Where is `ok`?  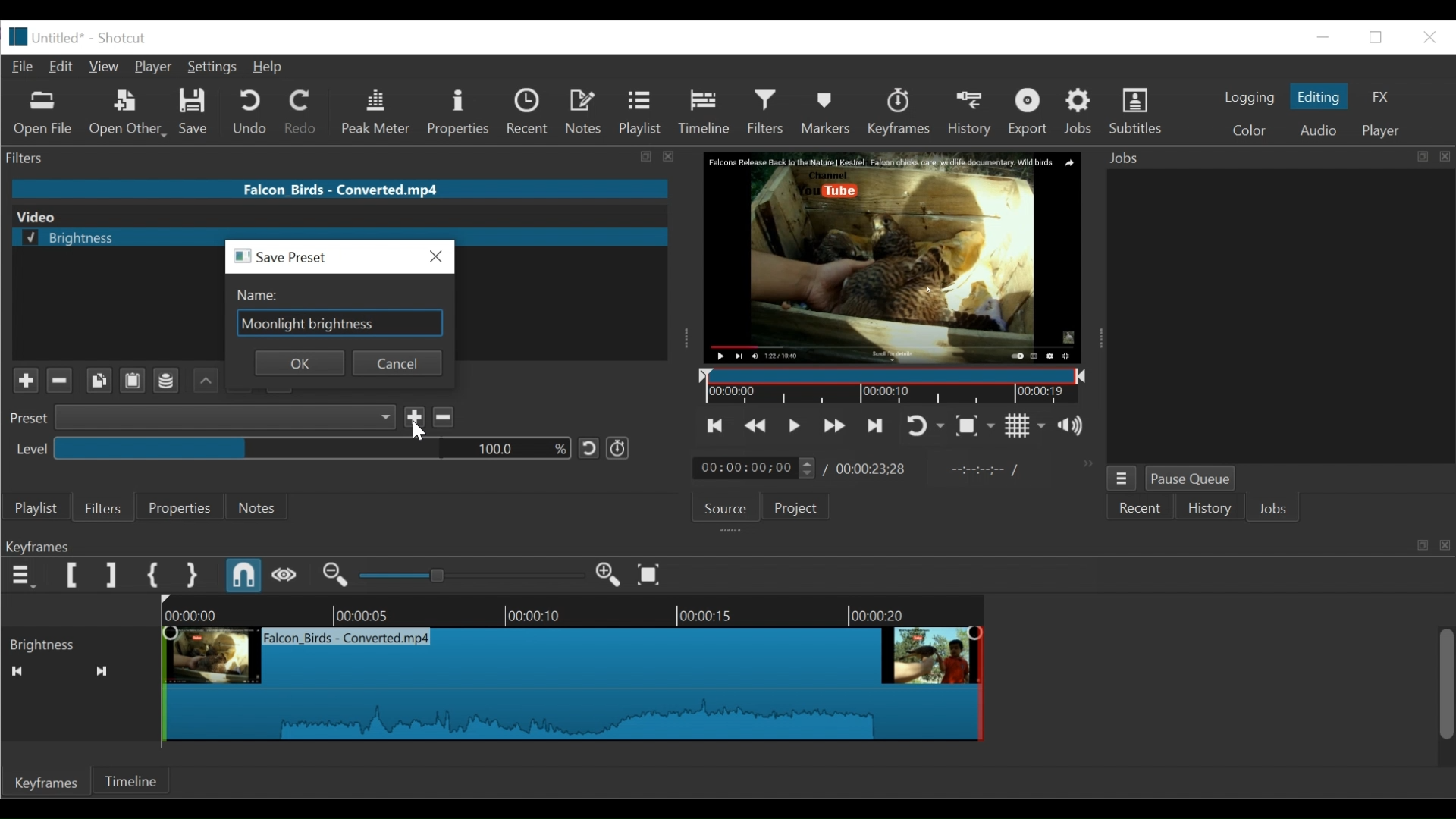 ok is located at coordinates (299, 363).